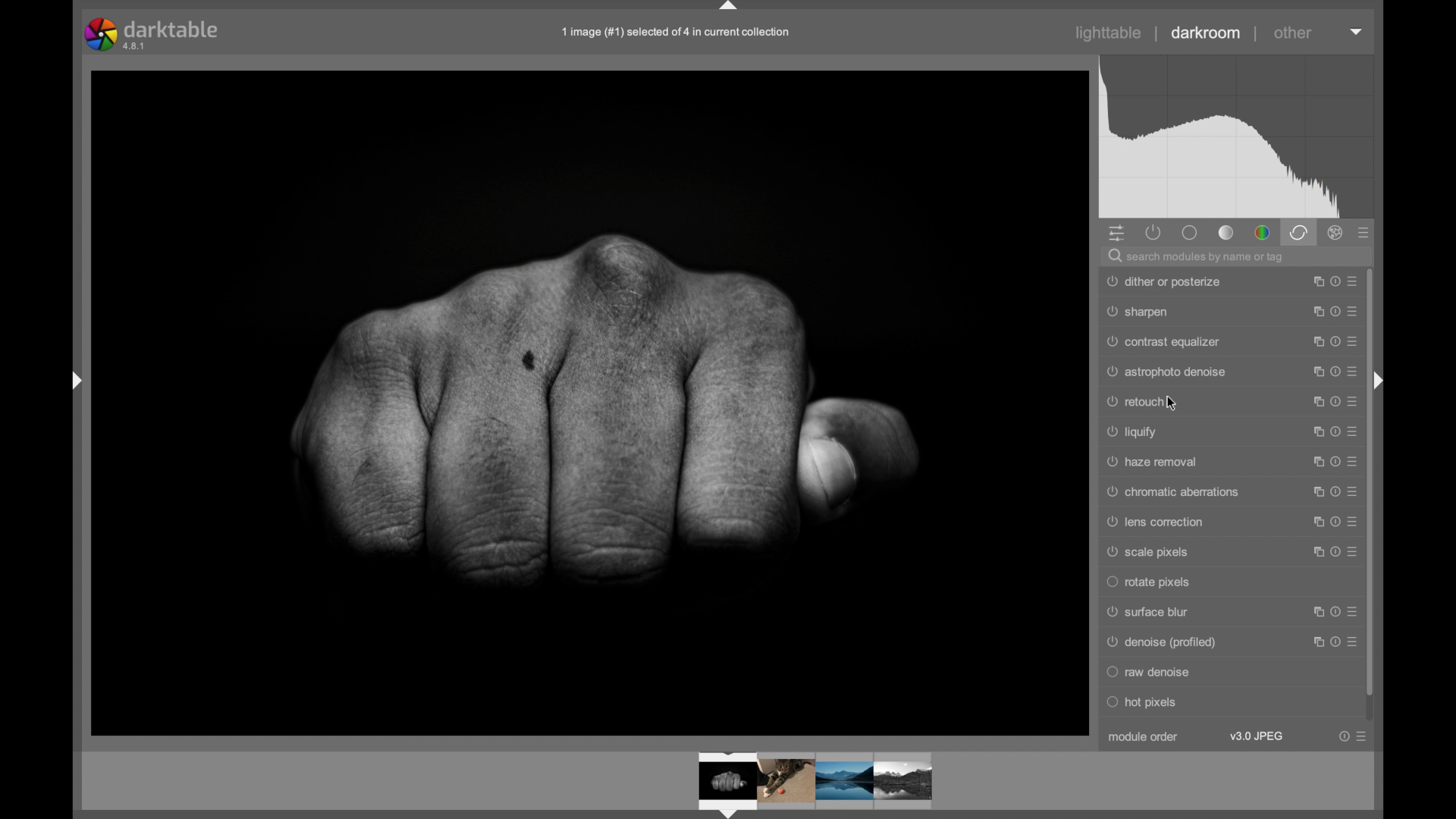 Image resolution: width=1456 pixels, height=819 pixels. I want to click on more options, so click(1351, 431).